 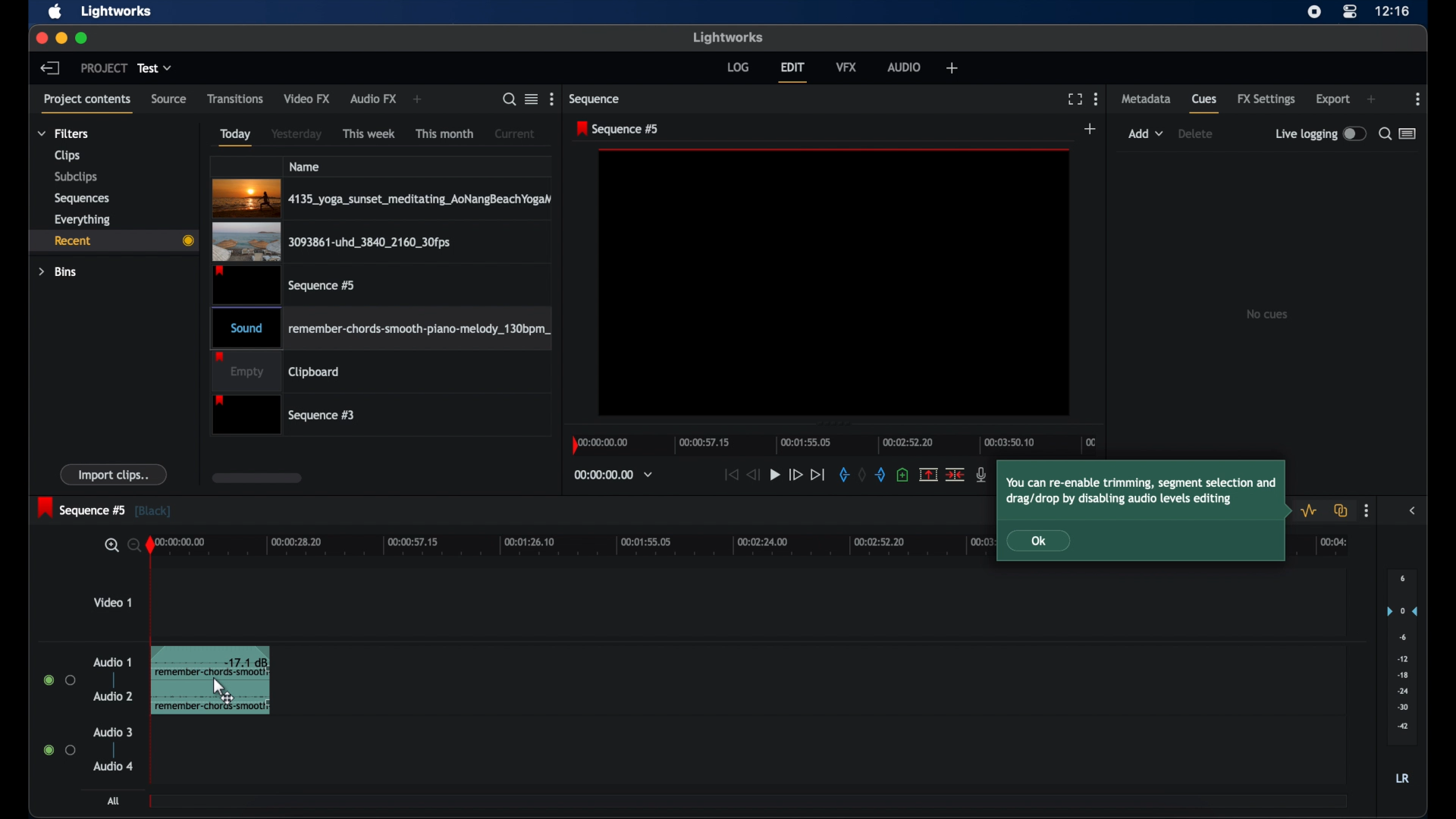 I want to click on filters, so click(x=64, y=133).